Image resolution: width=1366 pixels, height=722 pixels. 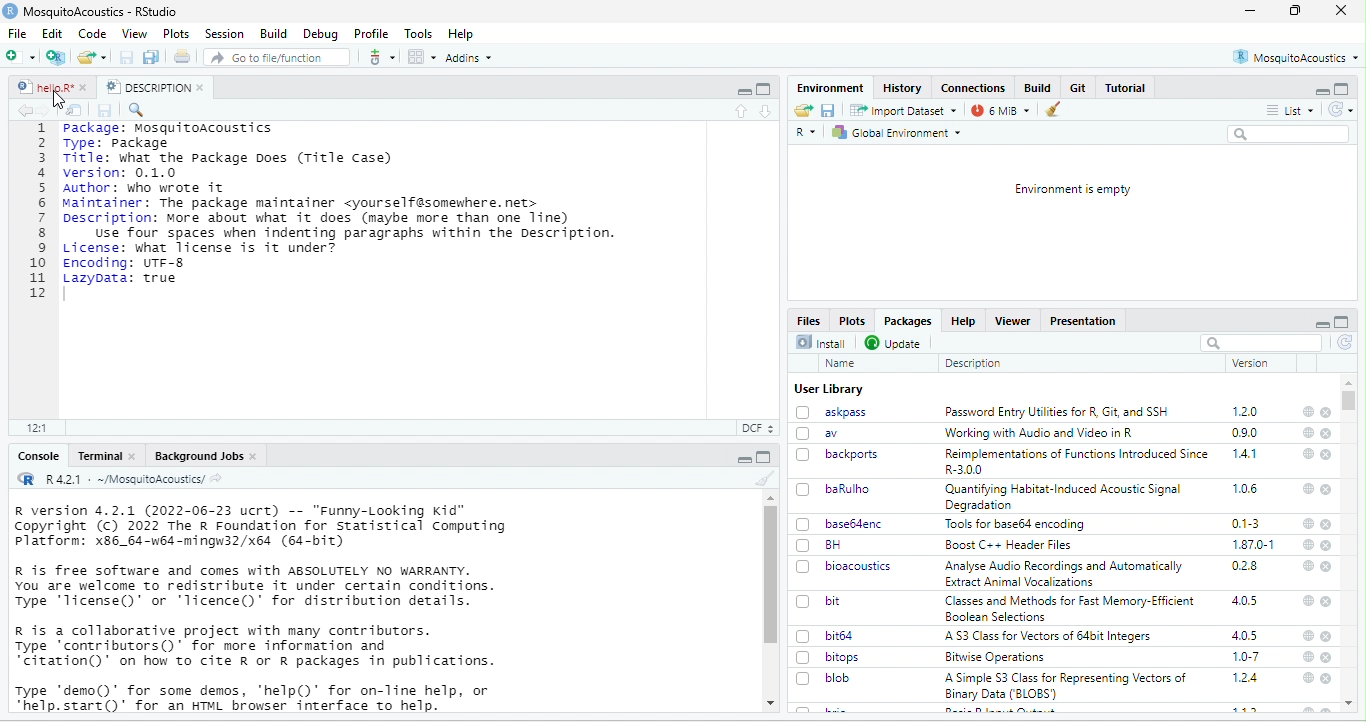 I want to click on Edit, so click(x=53, y=33).